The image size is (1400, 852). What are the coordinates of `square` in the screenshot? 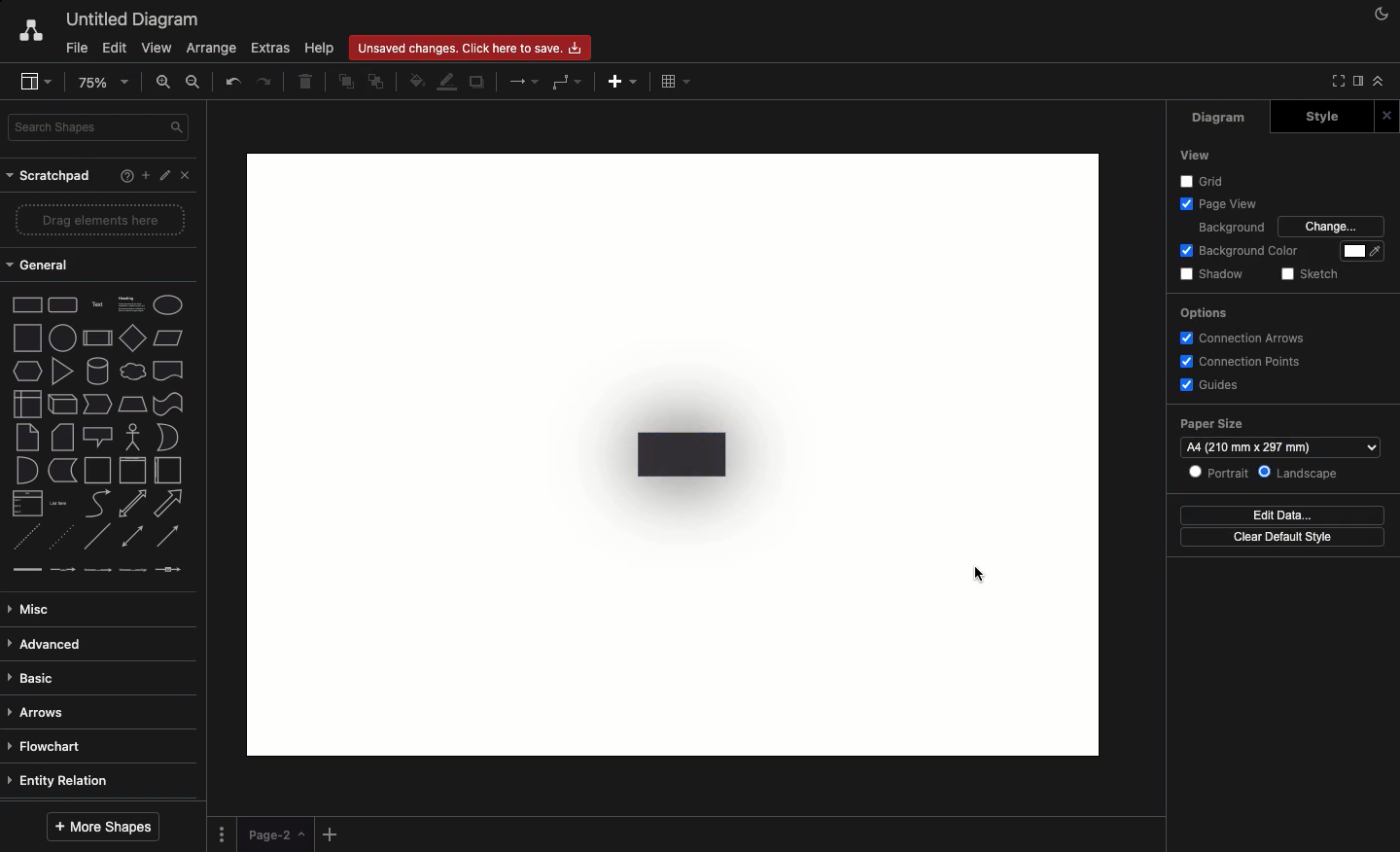 It's located at (29, 337).